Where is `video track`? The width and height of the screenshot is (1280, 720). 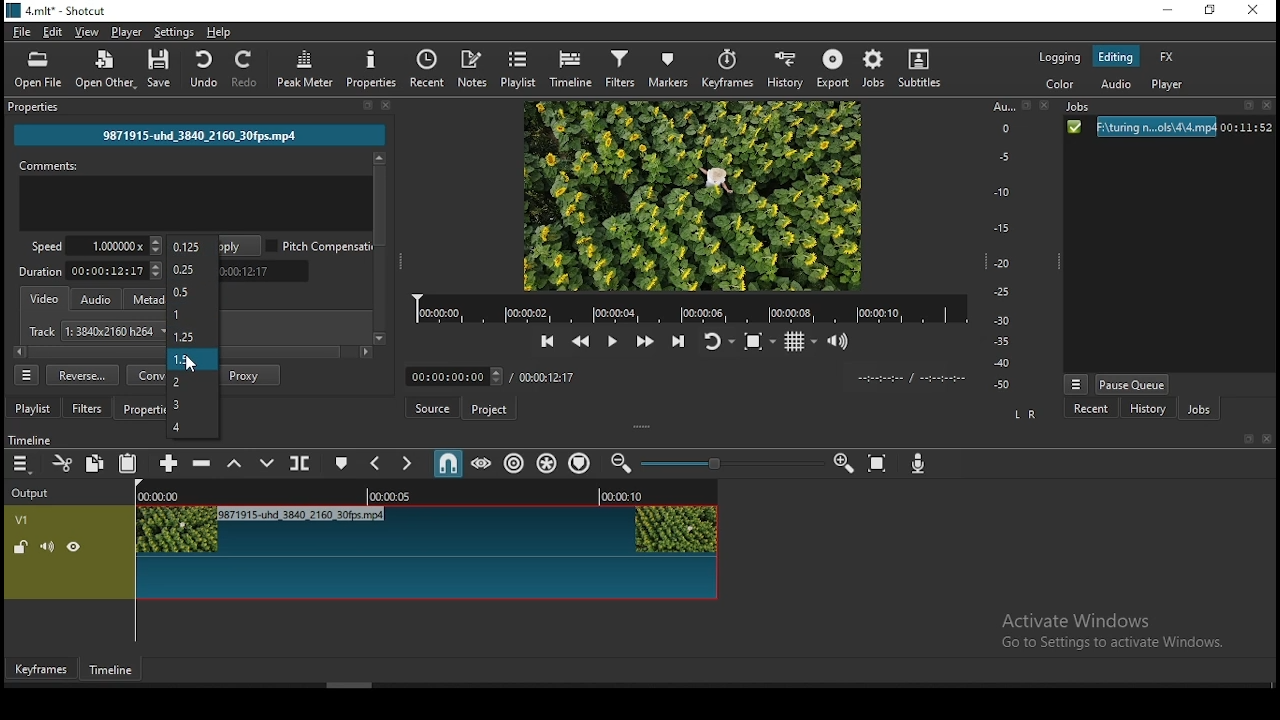
video track is located at coordinates (362, 551).